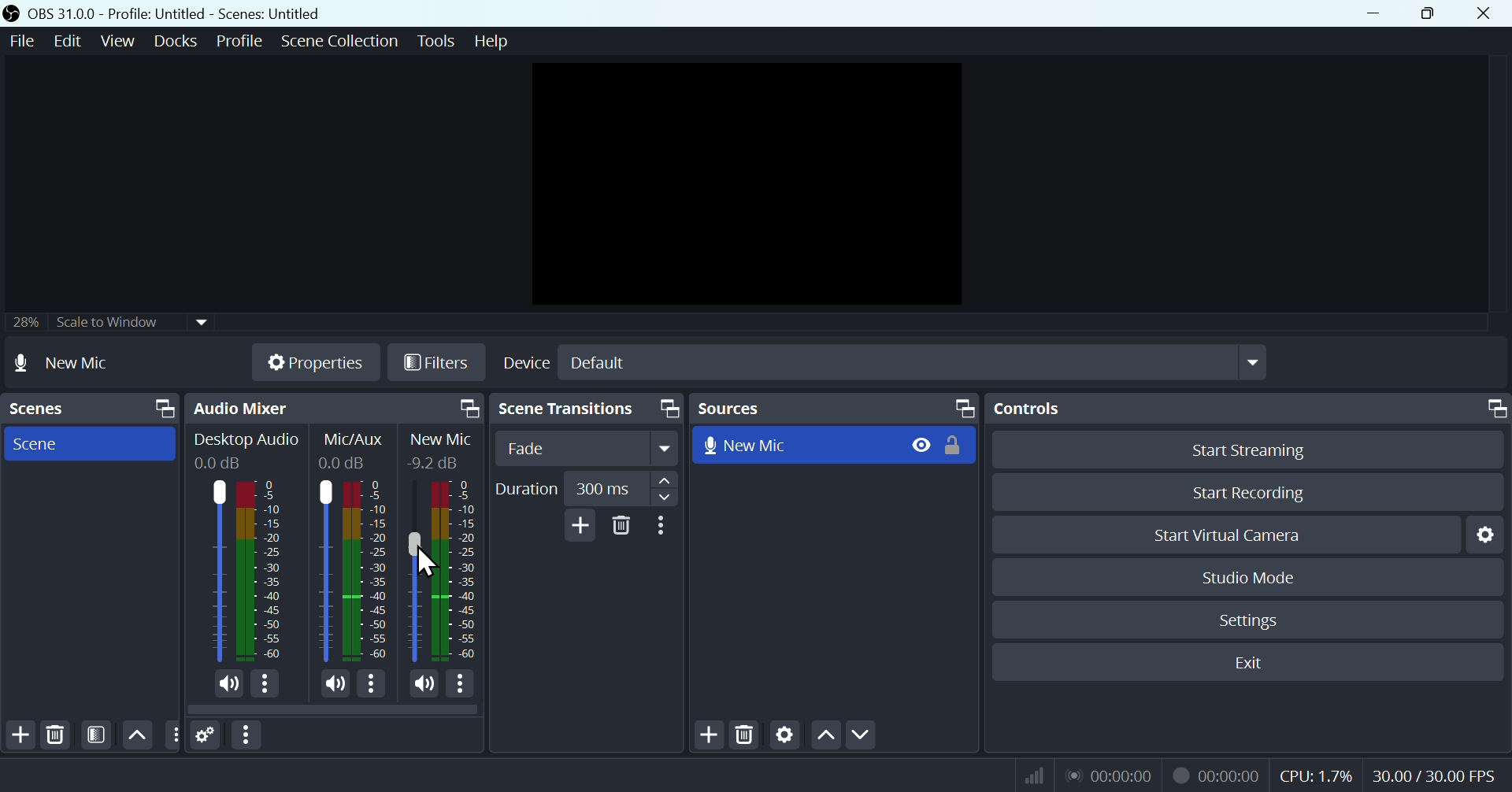 The image size is (1512, 792). What do you see at coordinates (422, 684) in the screenshot?
I see `(un)mute` at bounding box center [422, 684].